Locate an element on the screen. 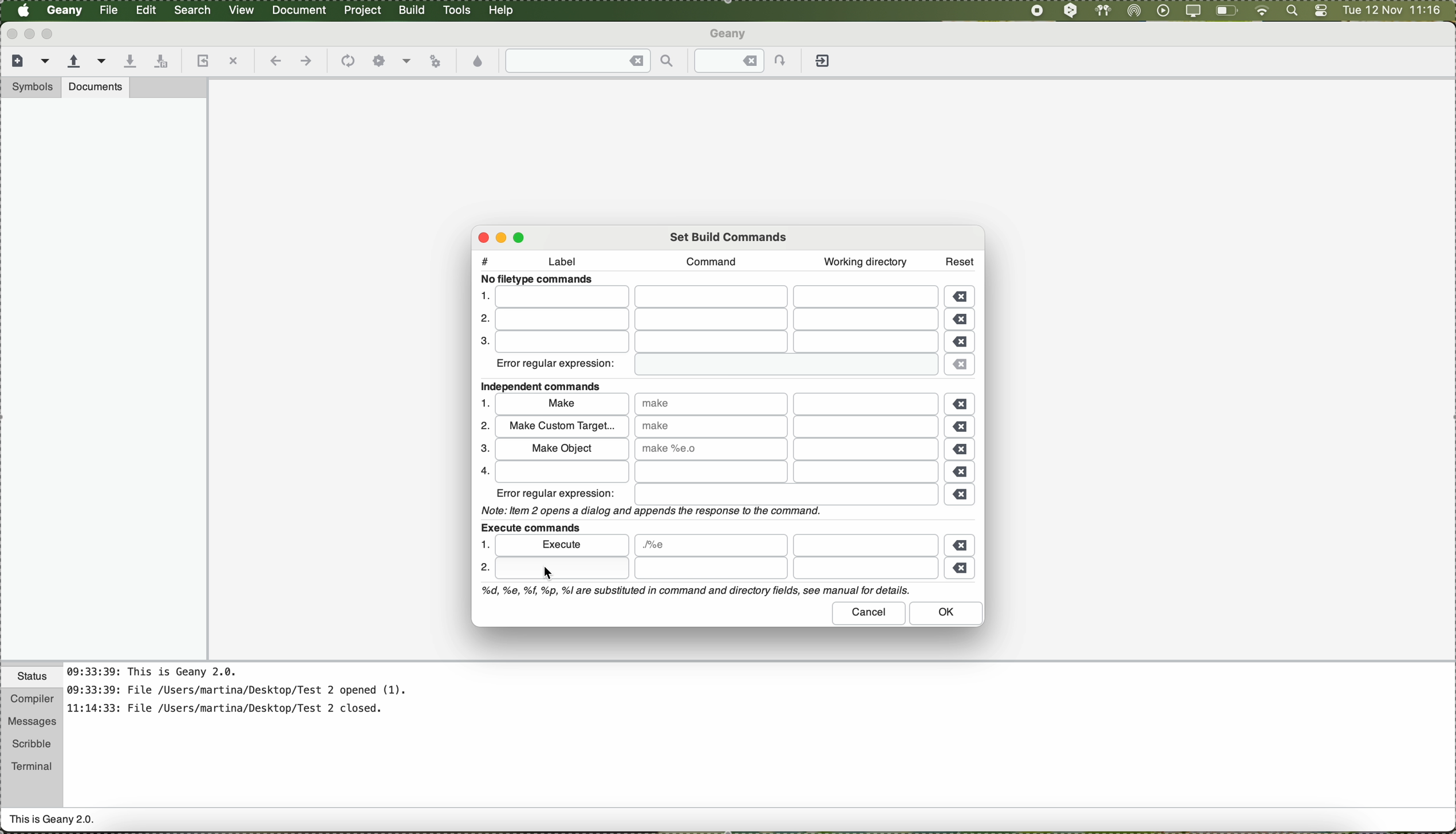  minimize is located at coordinates (30, 34).